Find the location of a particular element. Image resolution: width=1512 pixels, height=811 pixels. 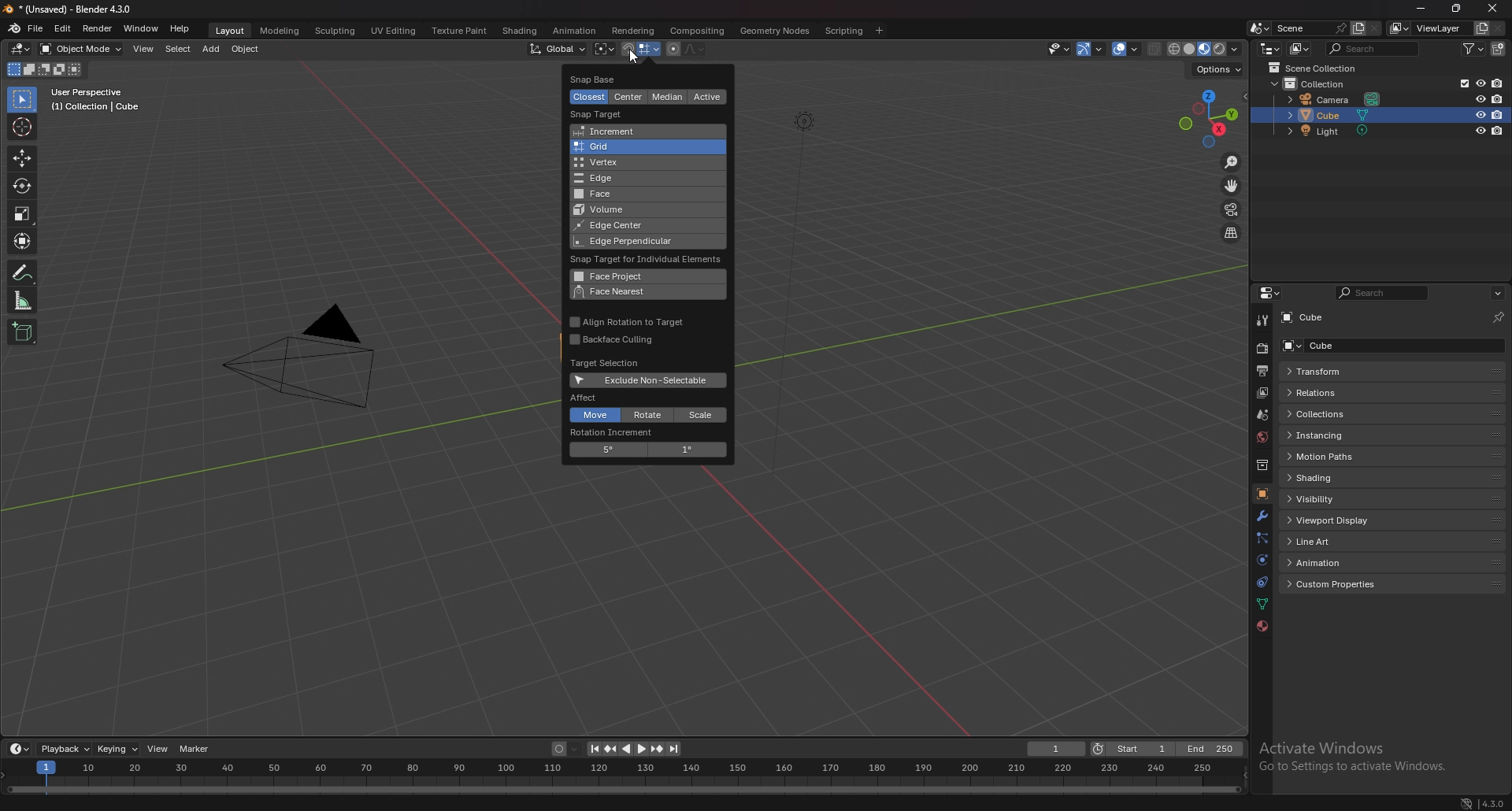

edge center is located at coordinates (627, 226).